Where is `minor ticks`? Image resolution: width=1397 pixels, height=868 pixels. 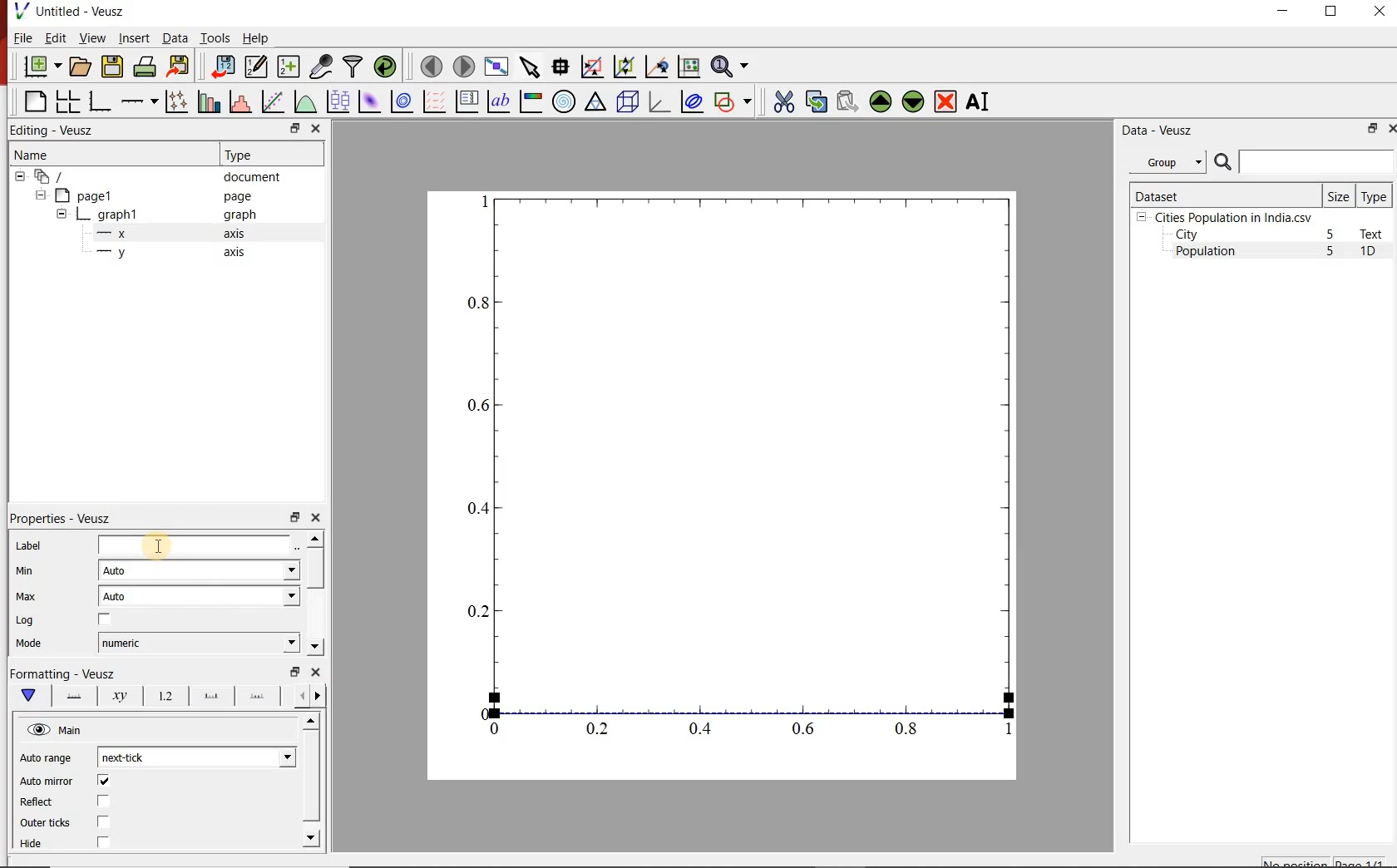 minor ticks is located at coordinates (258, 697).